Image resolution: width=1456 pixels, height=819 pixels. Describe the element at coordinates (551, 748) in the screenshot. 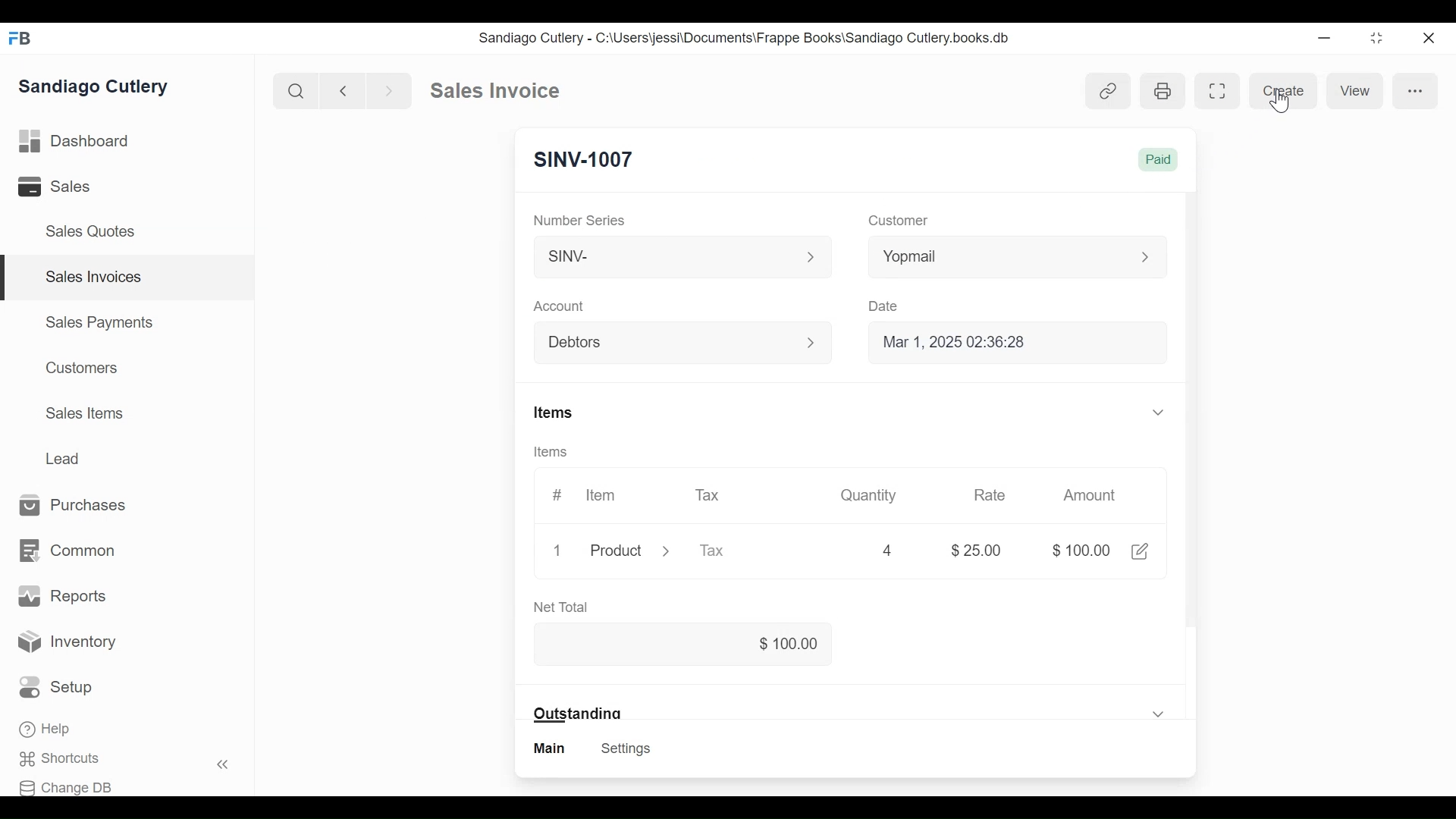

I see `Main` at that location.